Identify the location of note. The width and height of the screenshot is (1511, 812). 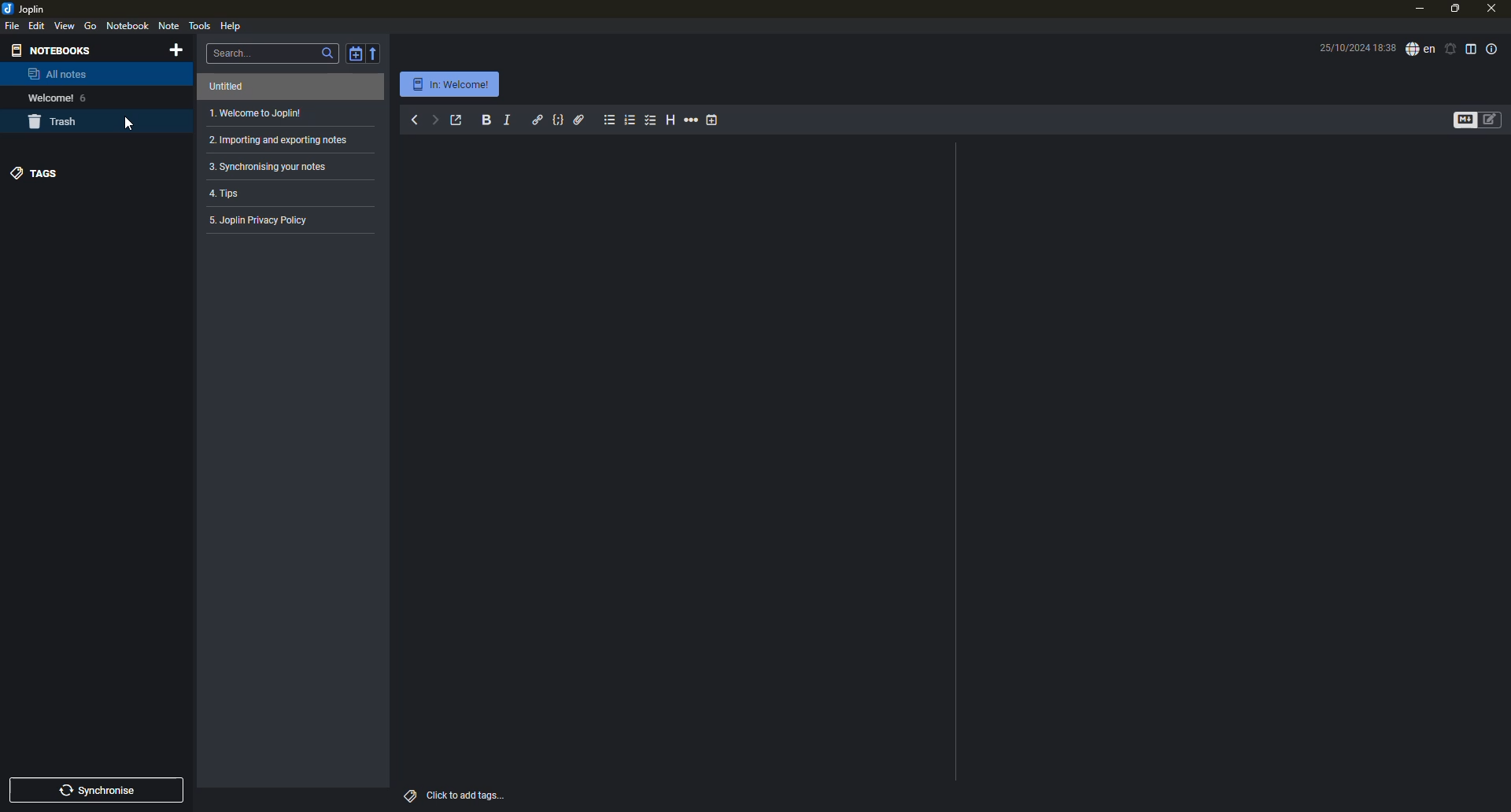
(171, 27).